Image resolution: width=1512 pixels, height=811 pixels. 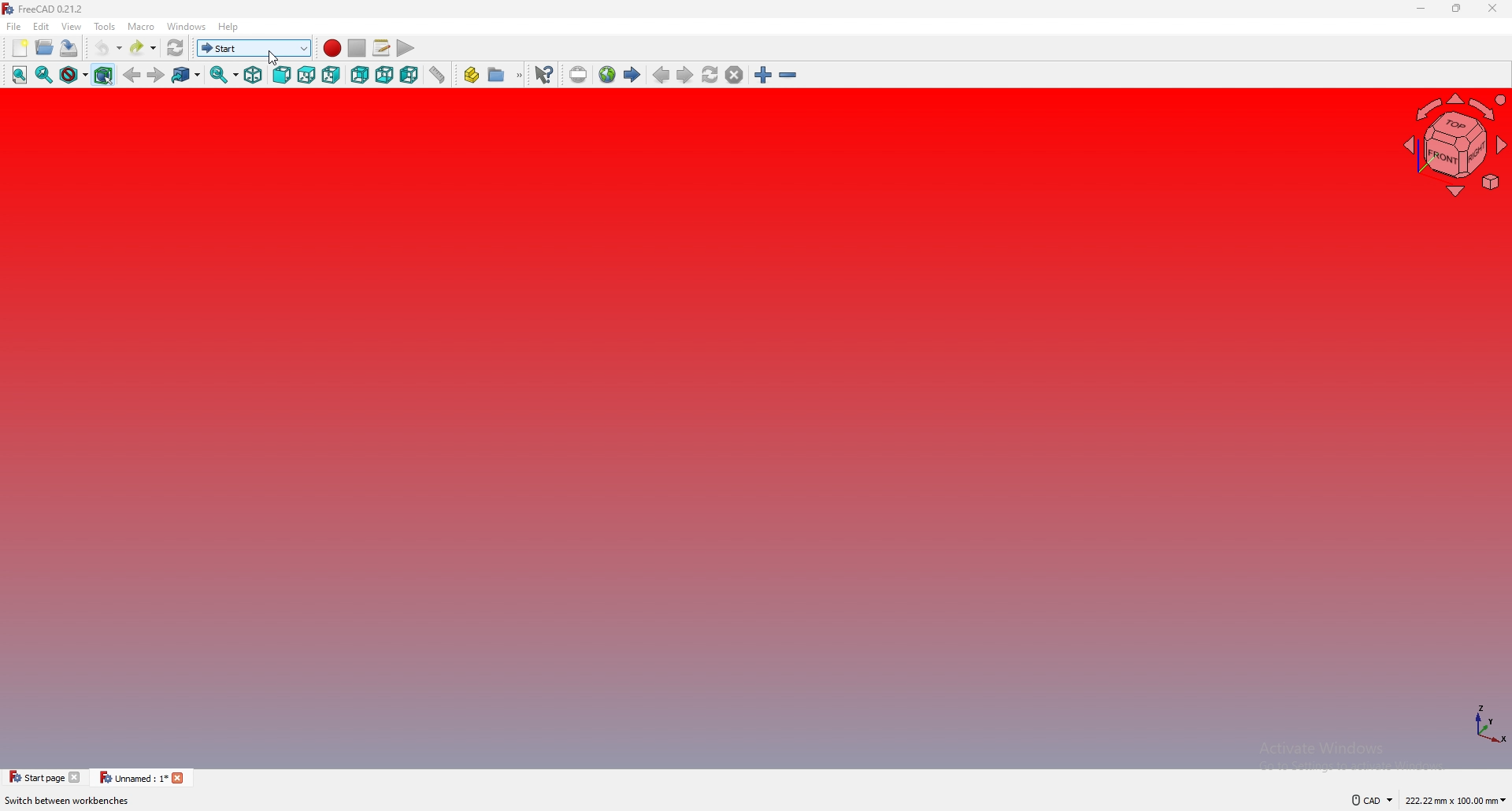 What do you see at coordinates (74, 75) in the screenshot?
I see `draw style` at bounding box center [74, 75].